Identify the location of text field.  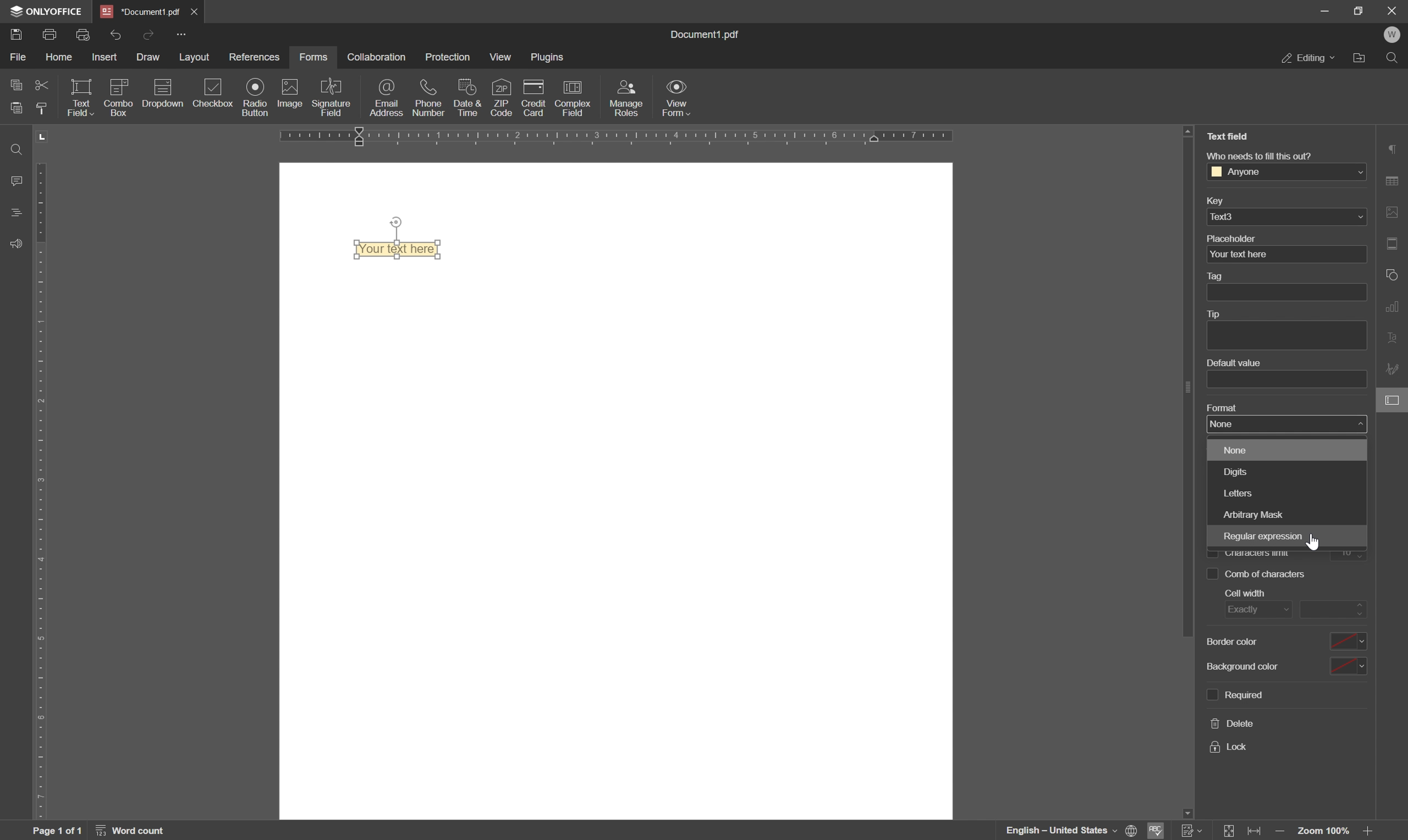
(80, 97).